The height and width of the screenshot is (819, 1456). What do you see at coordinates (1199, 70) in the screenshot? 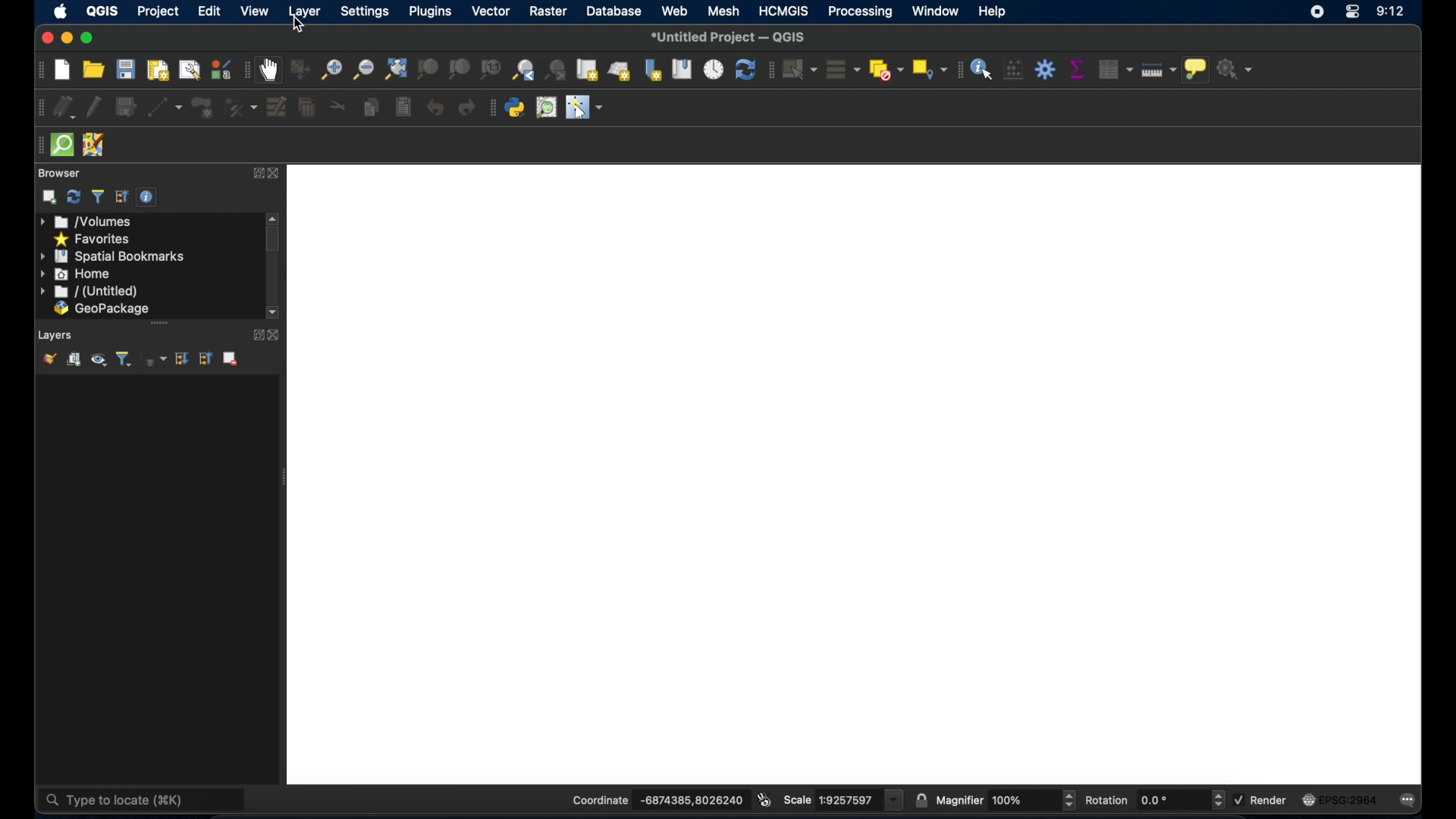
I see `show map tops` at bounding box center [1199, 70].